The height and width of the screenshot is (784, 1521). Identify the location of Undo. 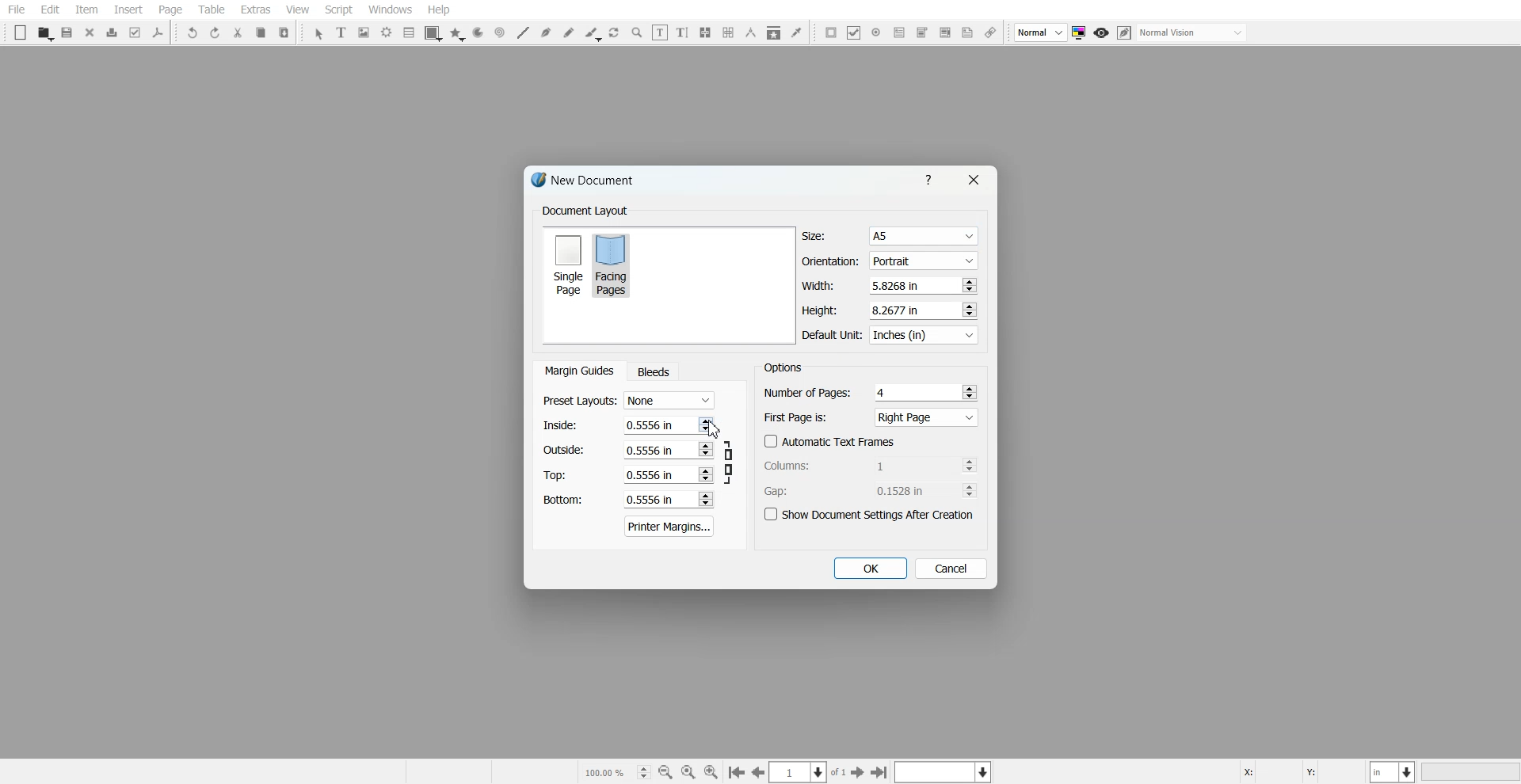
(193, 32).